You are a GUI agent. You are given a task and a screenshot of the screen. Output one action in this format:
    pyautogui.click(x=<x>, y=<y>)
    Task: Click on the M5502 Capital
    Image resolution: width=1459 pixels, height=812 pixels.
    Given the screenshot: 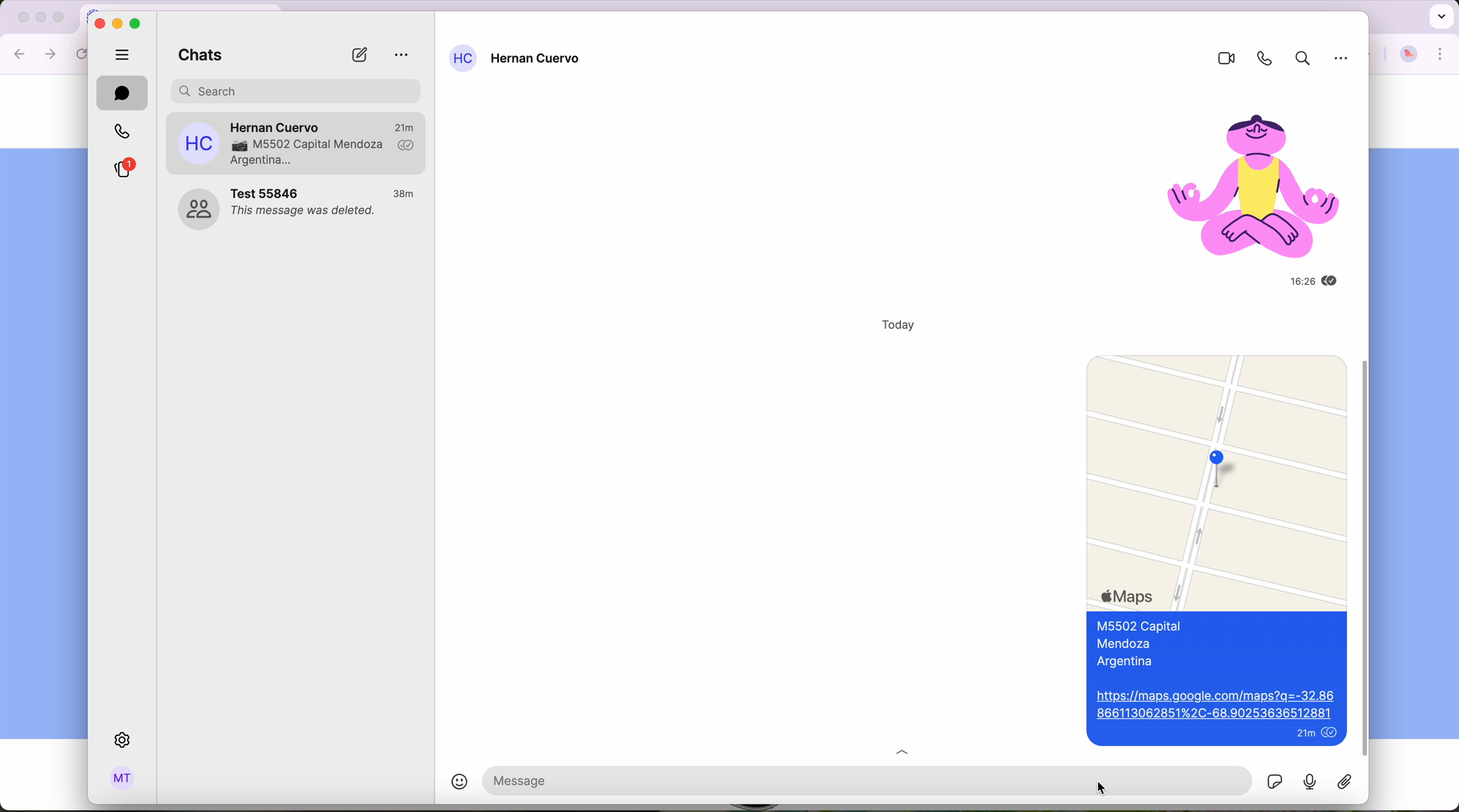 What is the action you would take?
    pyautogui.click(x=1139, y=627)
    